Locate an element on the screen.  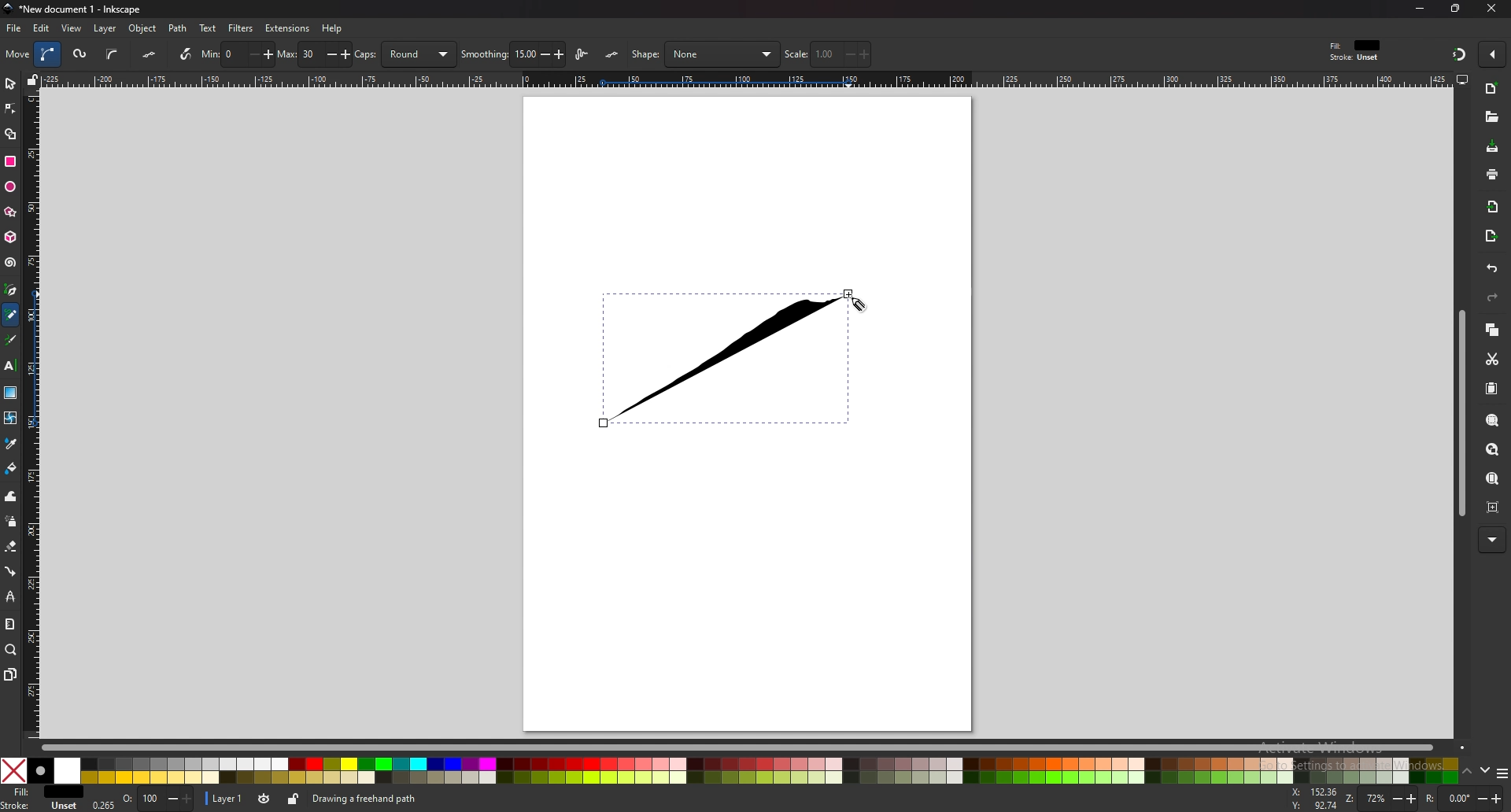
layer is located at coordinates (226, 798).